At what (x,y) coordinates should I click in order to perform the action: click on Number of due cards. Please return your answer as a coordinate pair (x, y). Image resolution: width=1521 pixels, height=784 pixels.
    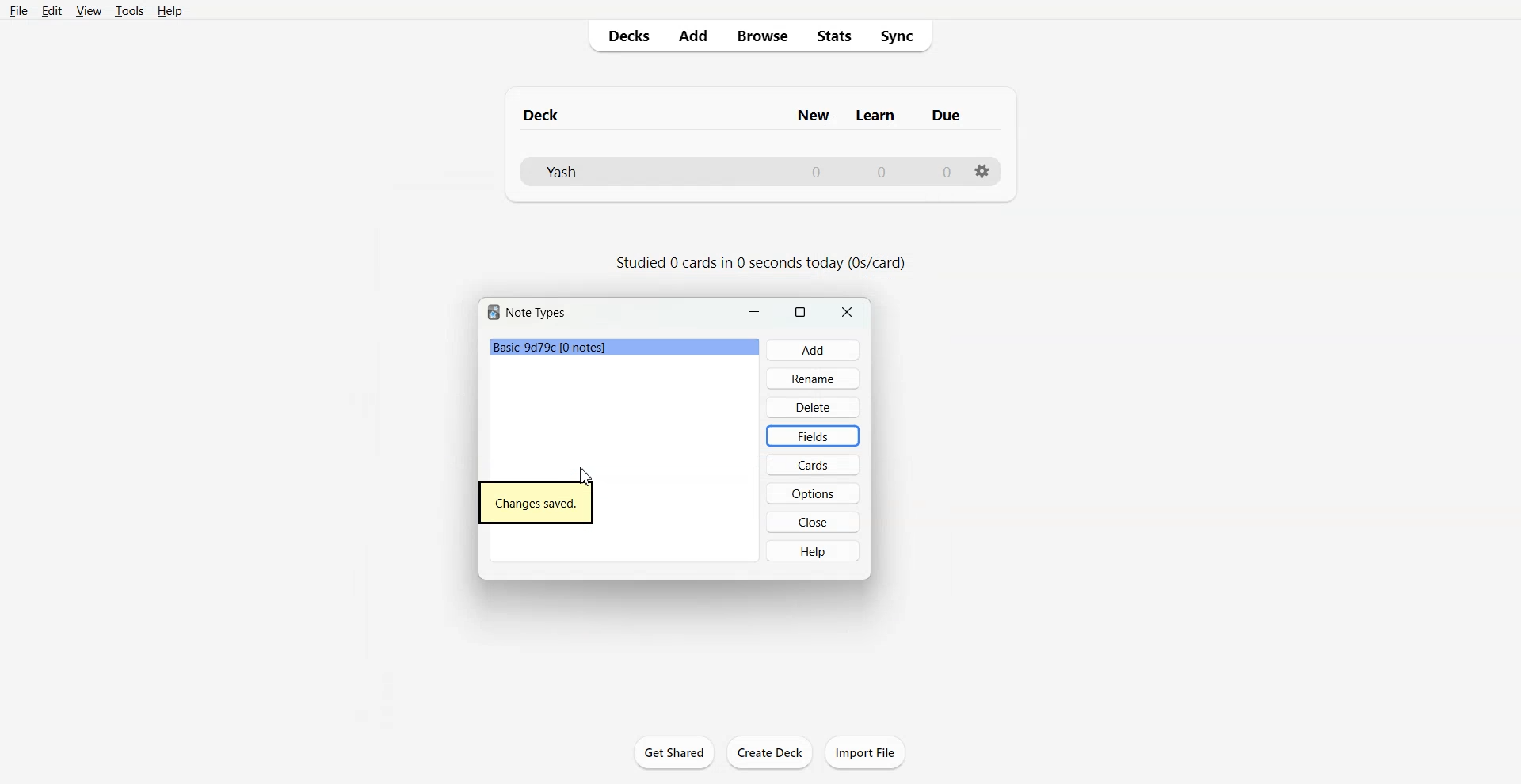
    Looking at the image, I should click on (947, 172).